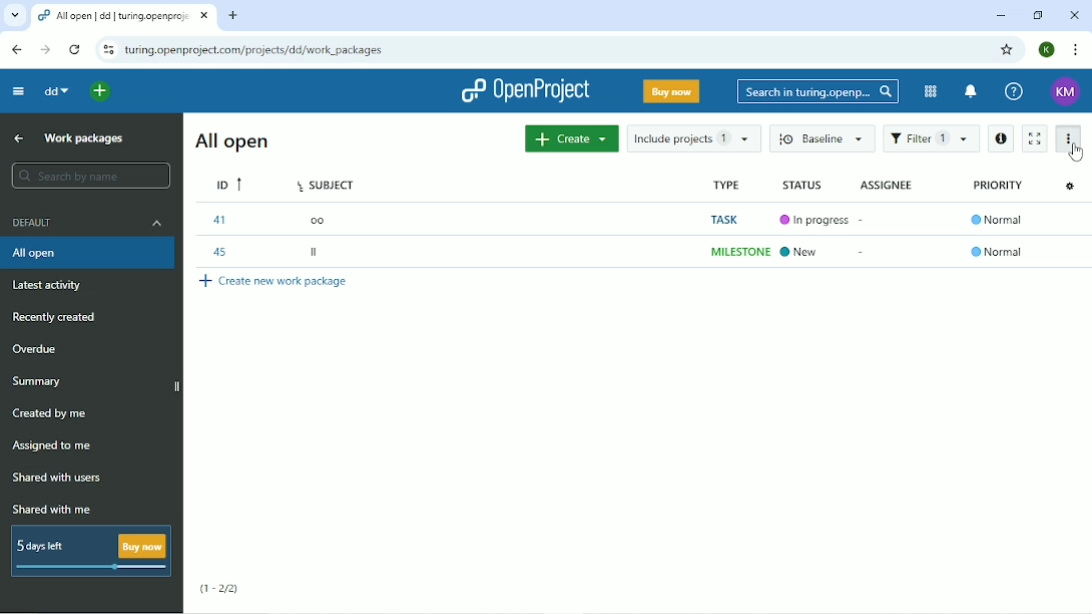 The width and height of the screenshot is (1092, 614). What do you see at coordinates (806, 184) in the screenshot?
I see `Status` at bounding box center [806, 184].